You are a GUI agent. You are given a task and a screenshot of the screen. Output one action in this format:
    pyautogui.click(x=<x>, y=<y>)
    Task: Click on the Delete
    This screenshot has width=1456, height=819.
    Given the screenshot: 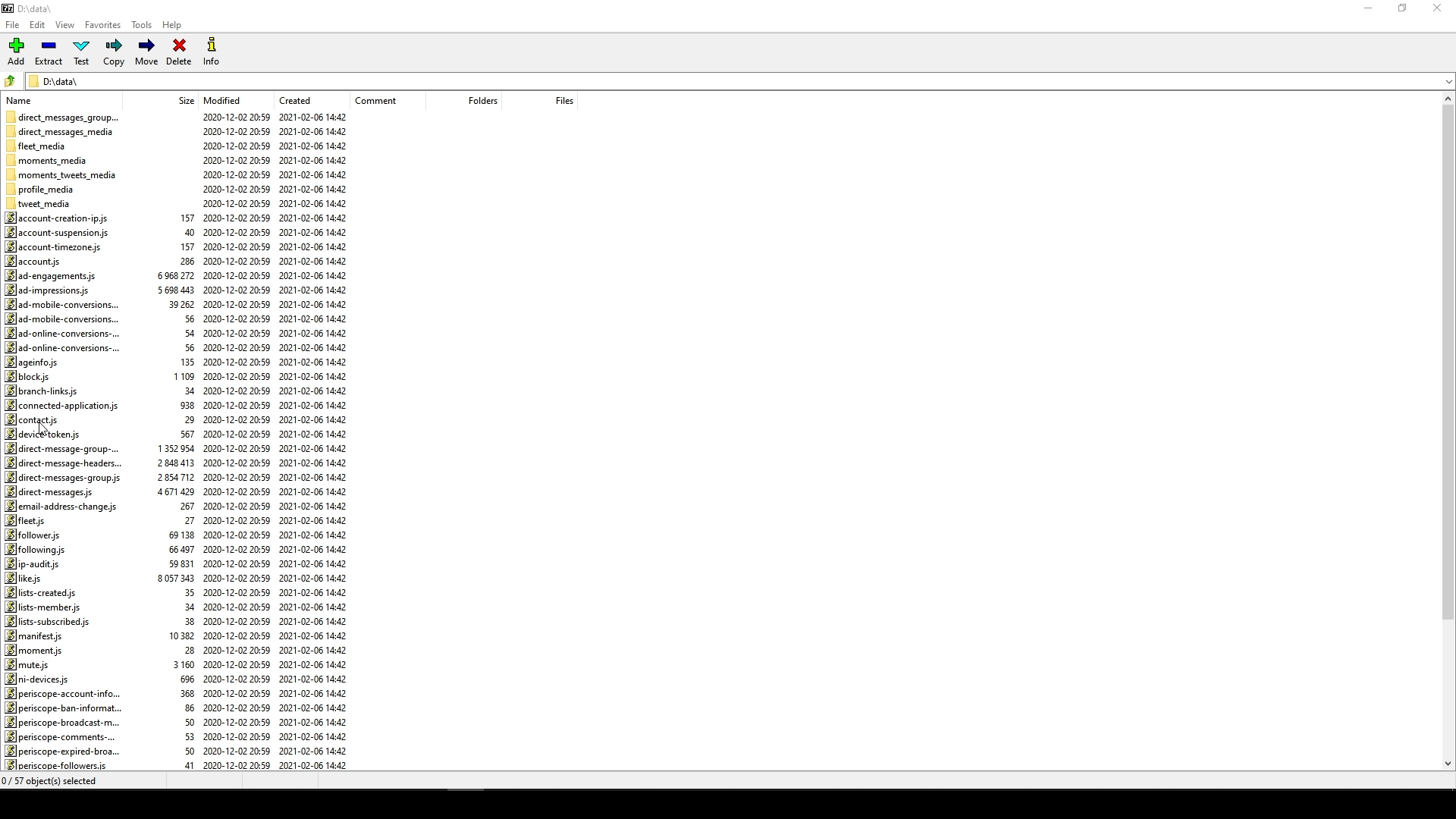 What is the action you would take?
    pyautogui.click(x=178, y=54)
    